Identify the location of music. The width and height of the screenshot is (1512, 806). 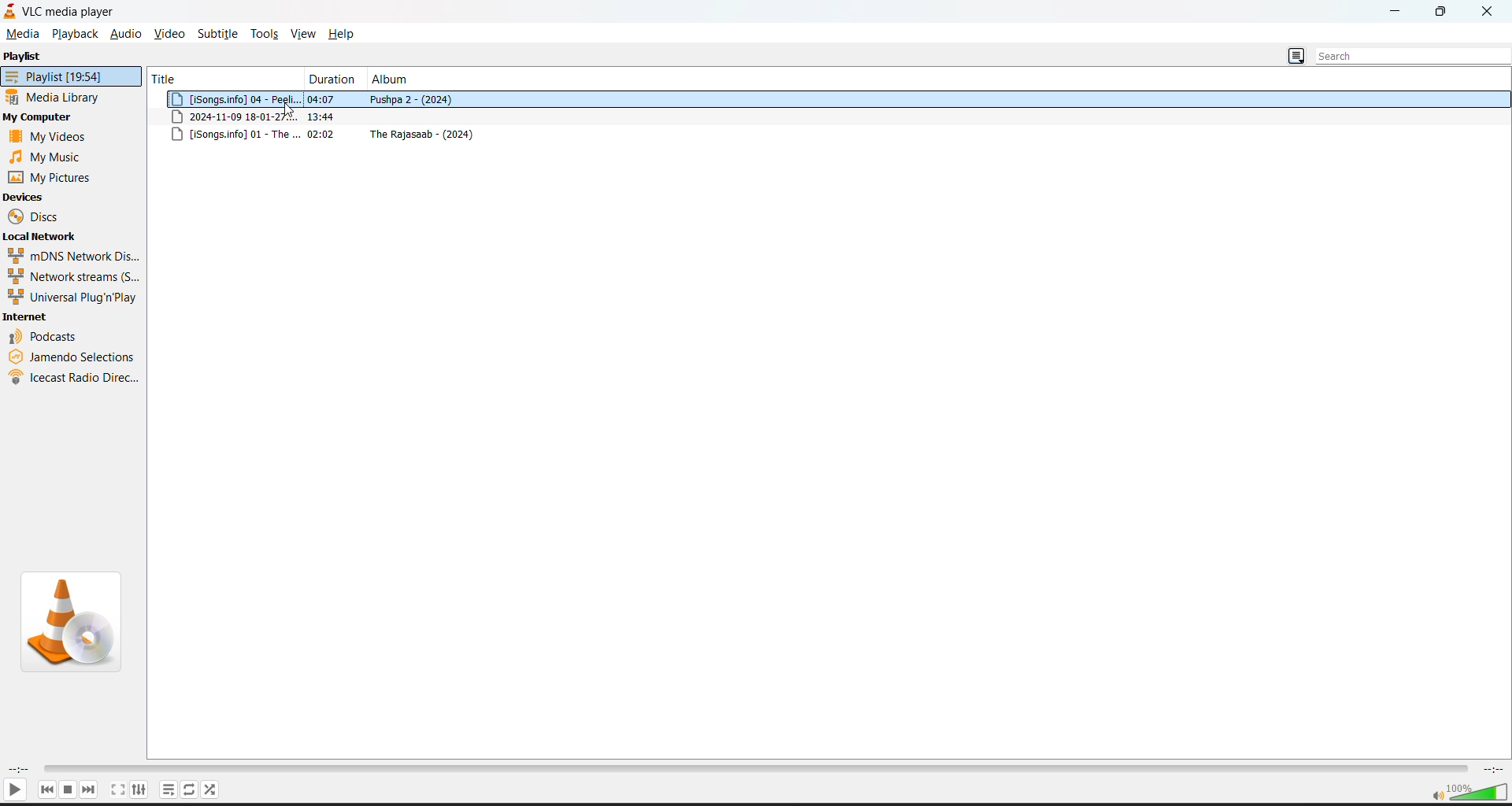
(43, 157).